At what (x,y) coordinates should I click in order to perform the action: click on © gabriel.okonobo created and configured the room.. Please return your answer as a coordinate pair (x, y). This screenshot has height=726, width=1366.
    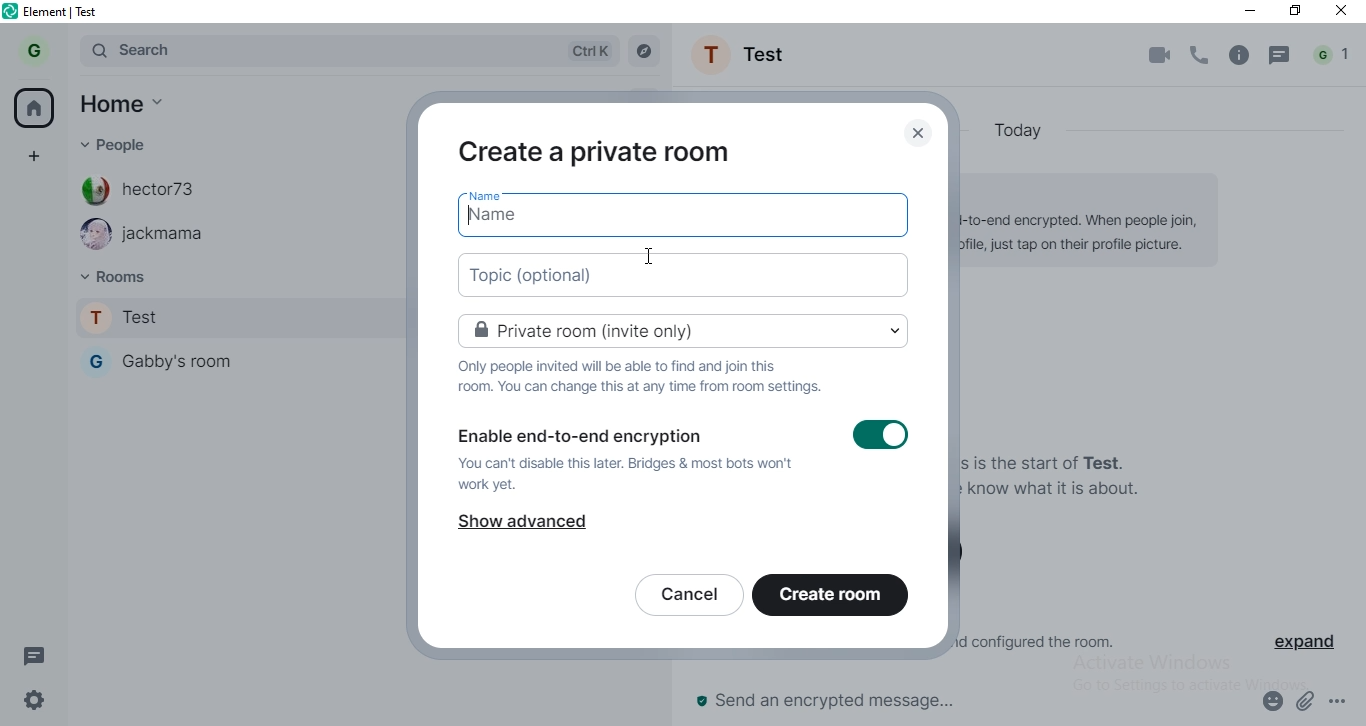
    Looking at the image, I should click on (1039, 641).